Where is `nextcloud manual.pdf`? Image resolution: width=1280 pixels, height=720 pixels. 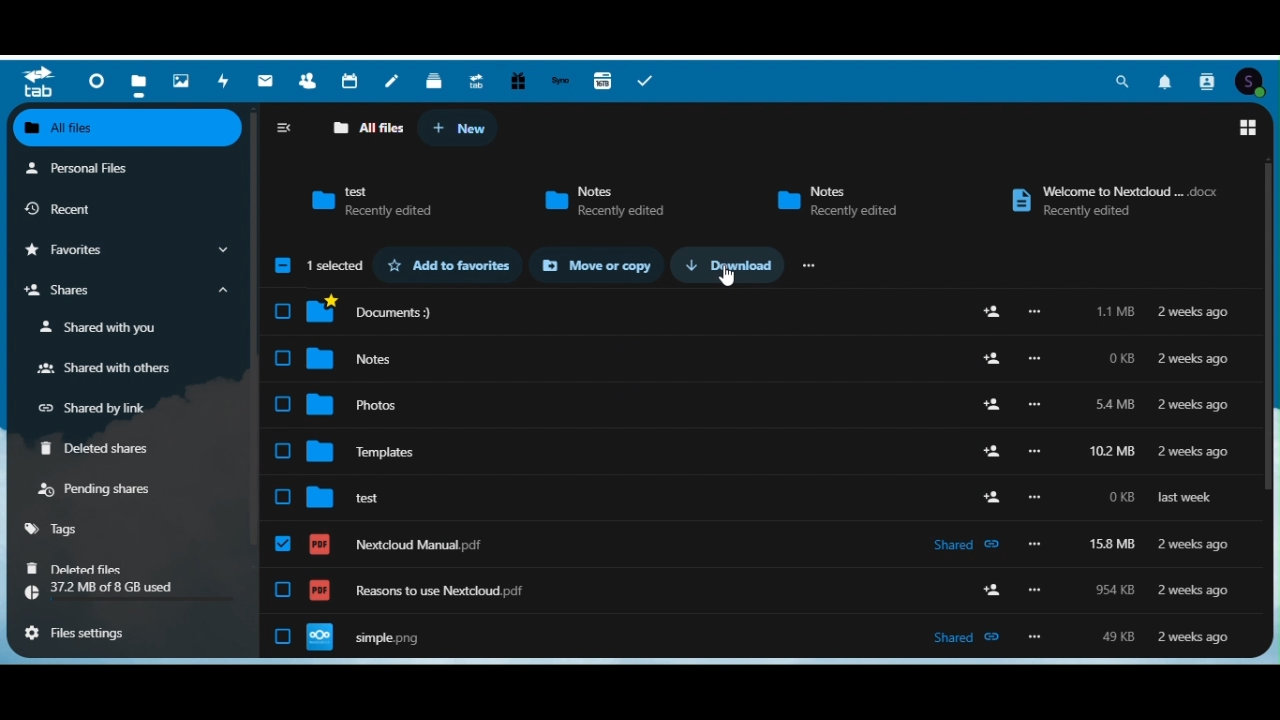 nextcloud manual.pdf is located at coordinates (757, 547).